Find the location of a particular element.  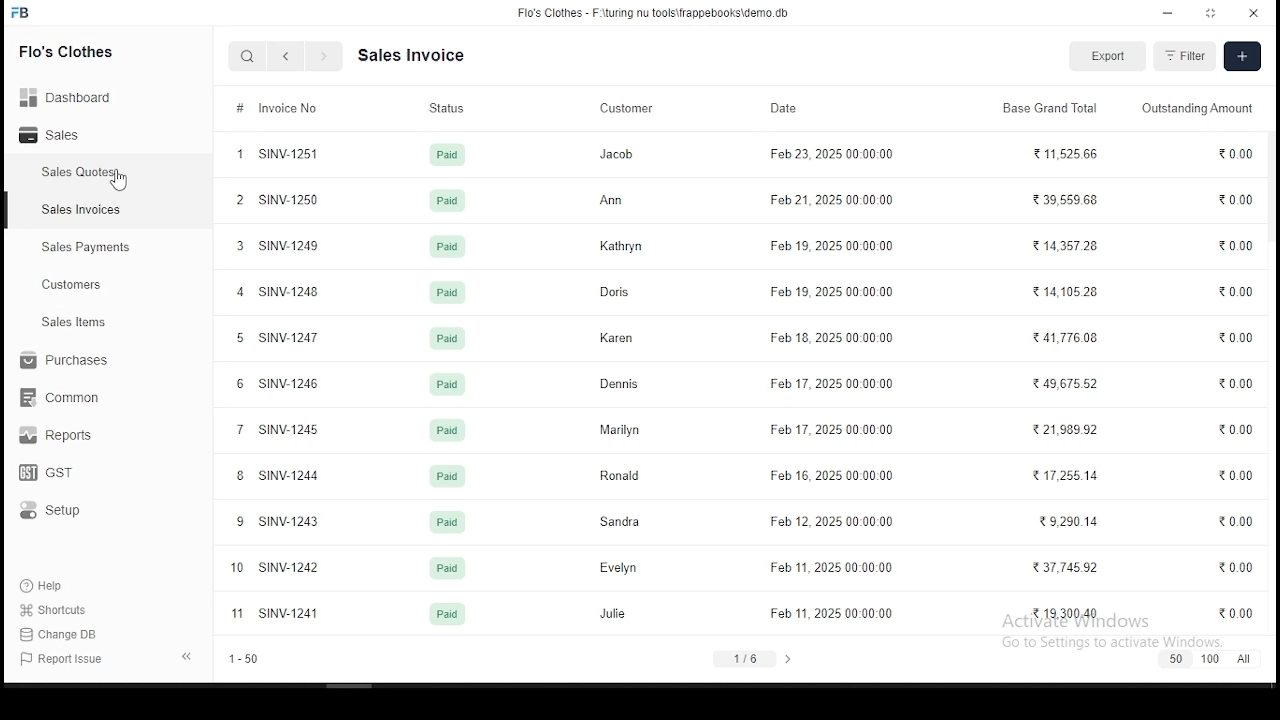

change DB is located at coordinates (74, 635).